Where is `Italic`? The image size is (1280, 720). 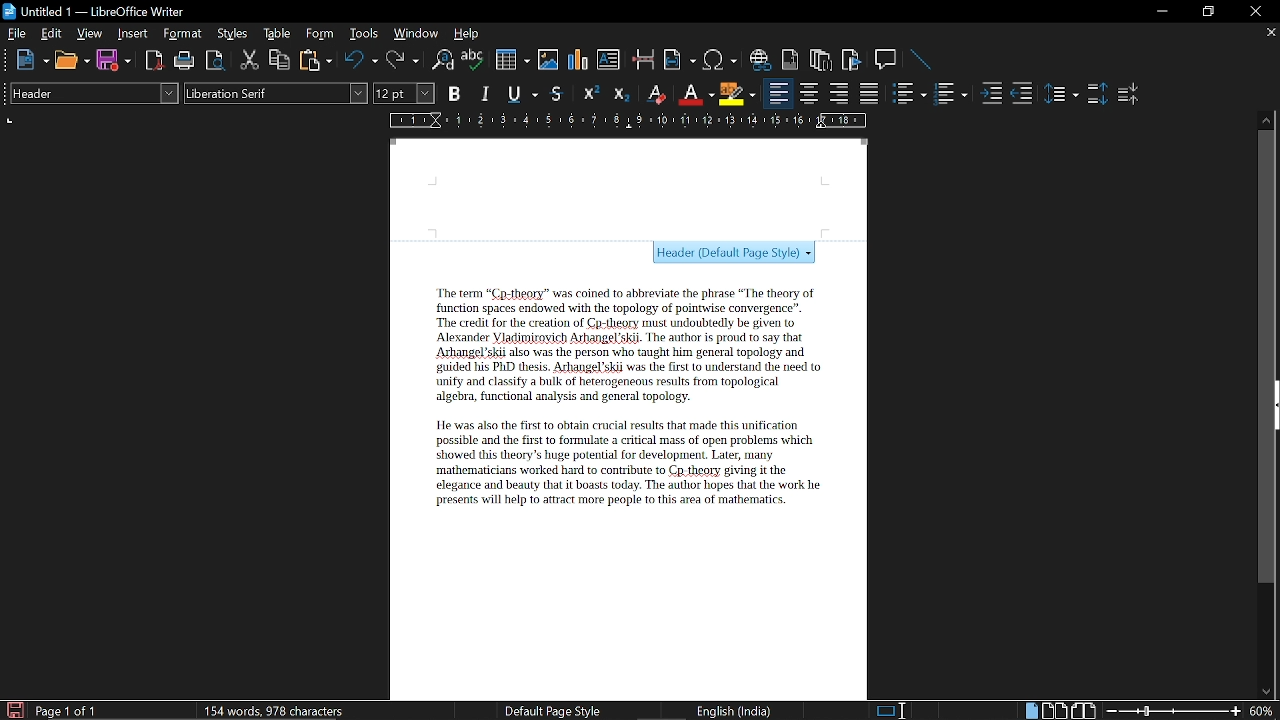
Italic is located at coordinates (486, 94).